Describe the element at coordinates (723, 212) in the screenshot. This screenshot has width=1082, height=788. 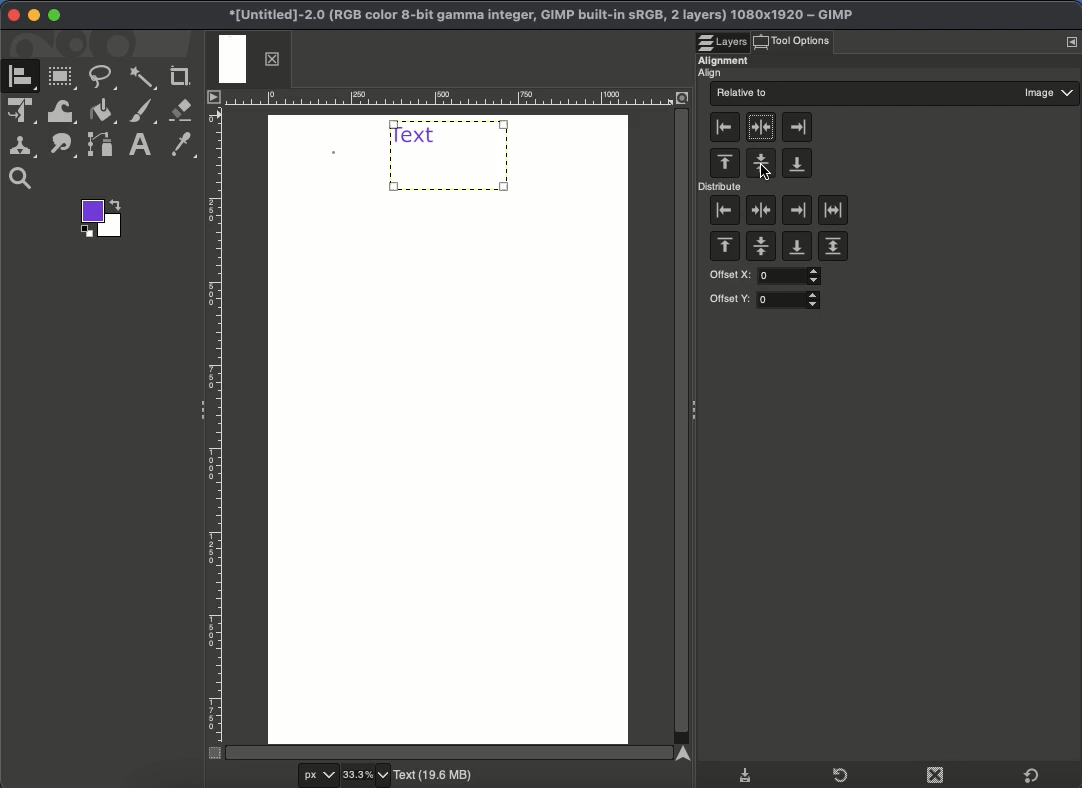
I see `Distribute left edges` at that location.